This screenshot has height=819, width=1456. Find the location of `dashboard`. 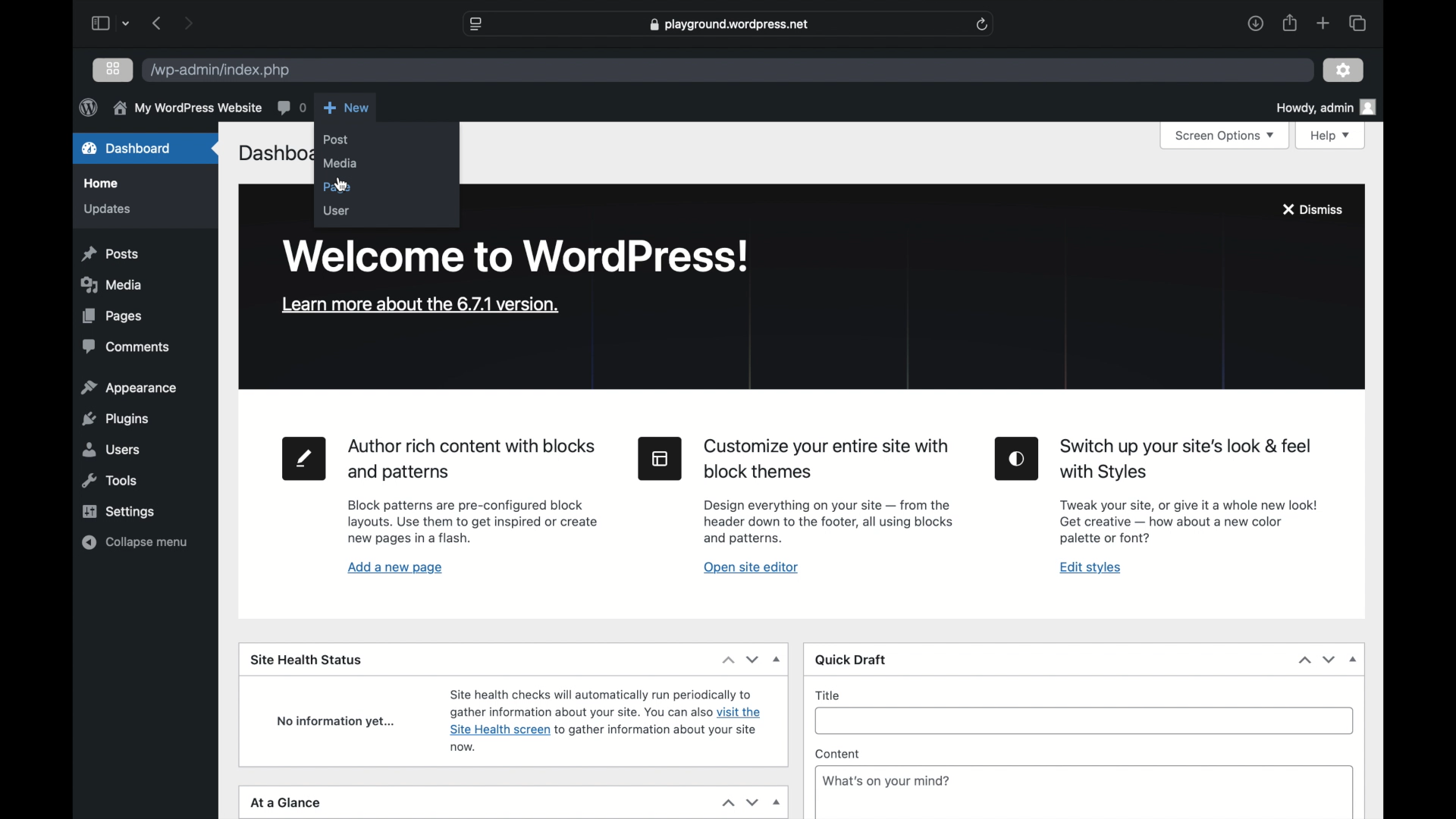

dashboard is located at coordinates (127, 148).